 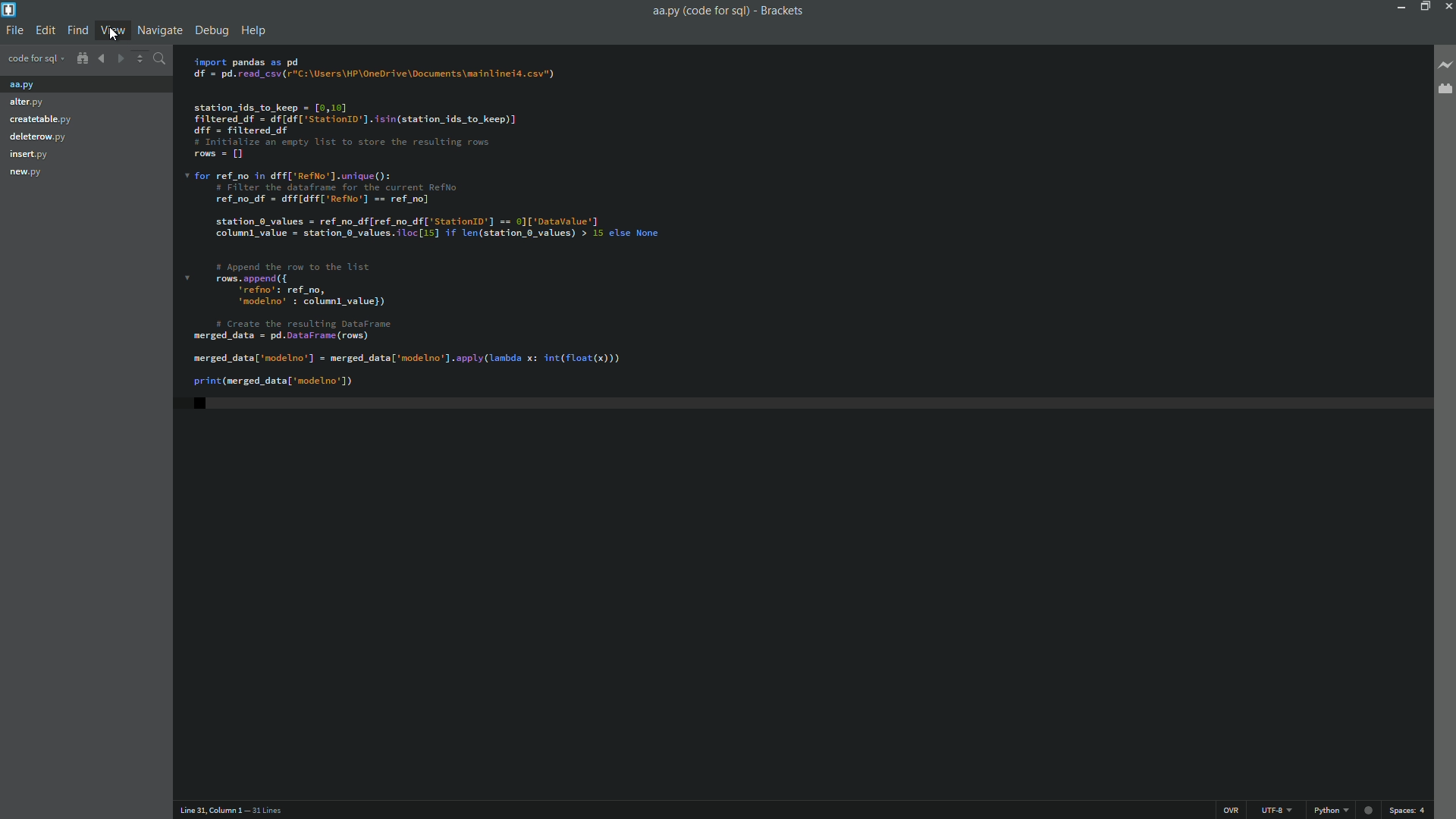 I want to click on live preview button, so click(x=1445, y=65).